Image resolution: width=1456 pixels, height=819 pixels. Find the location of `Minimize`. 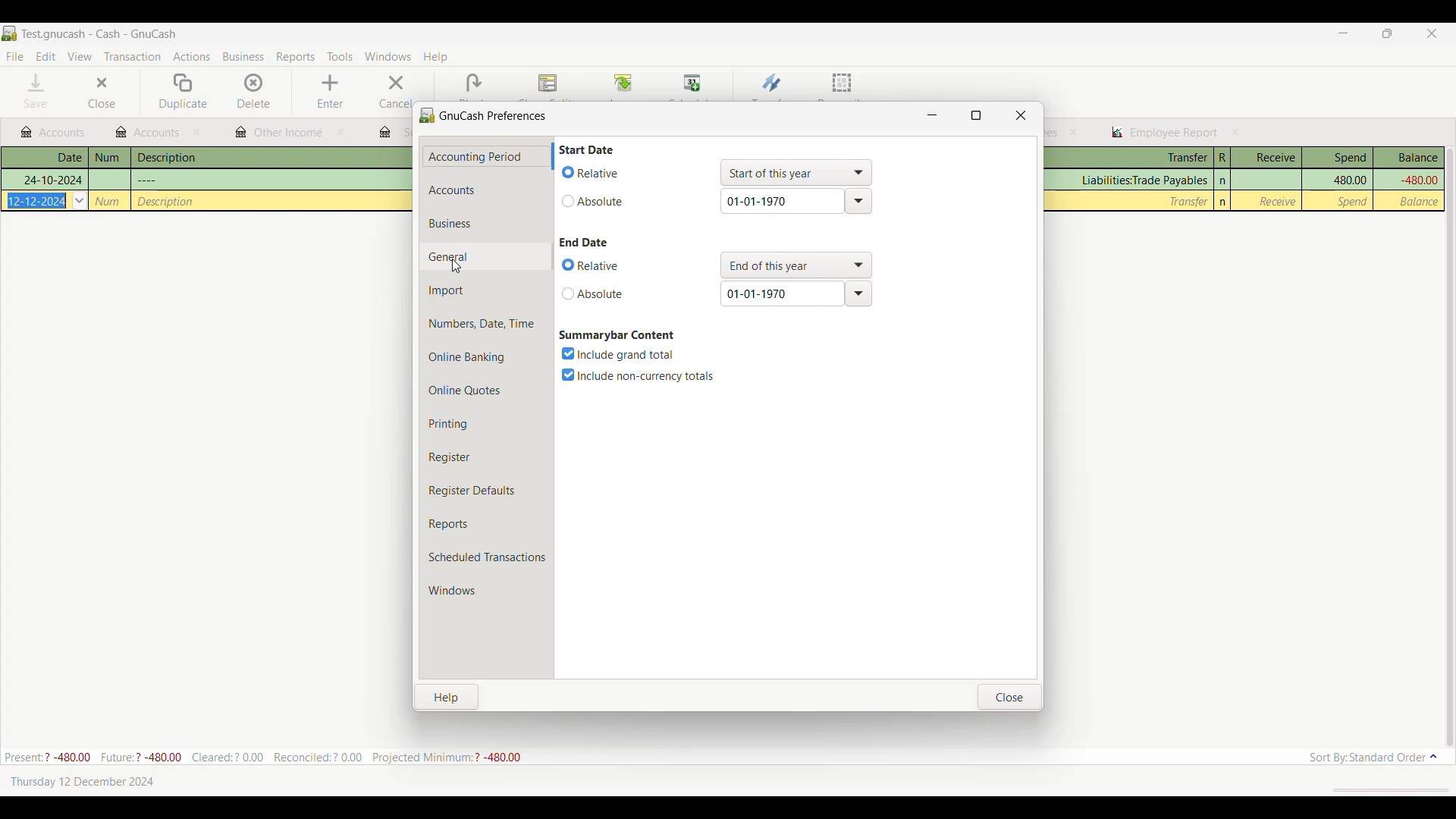

Minimize is located at coordinates (1343, 33).